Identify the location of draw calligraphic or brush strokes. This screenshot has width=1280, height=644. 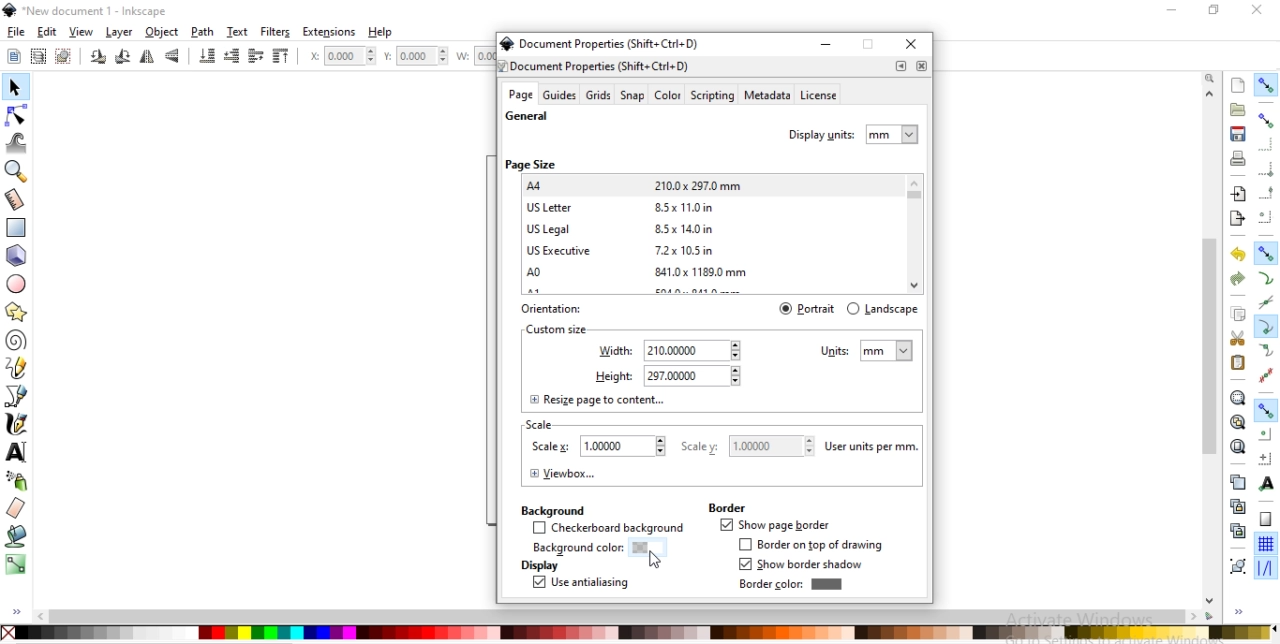
(19, 424).